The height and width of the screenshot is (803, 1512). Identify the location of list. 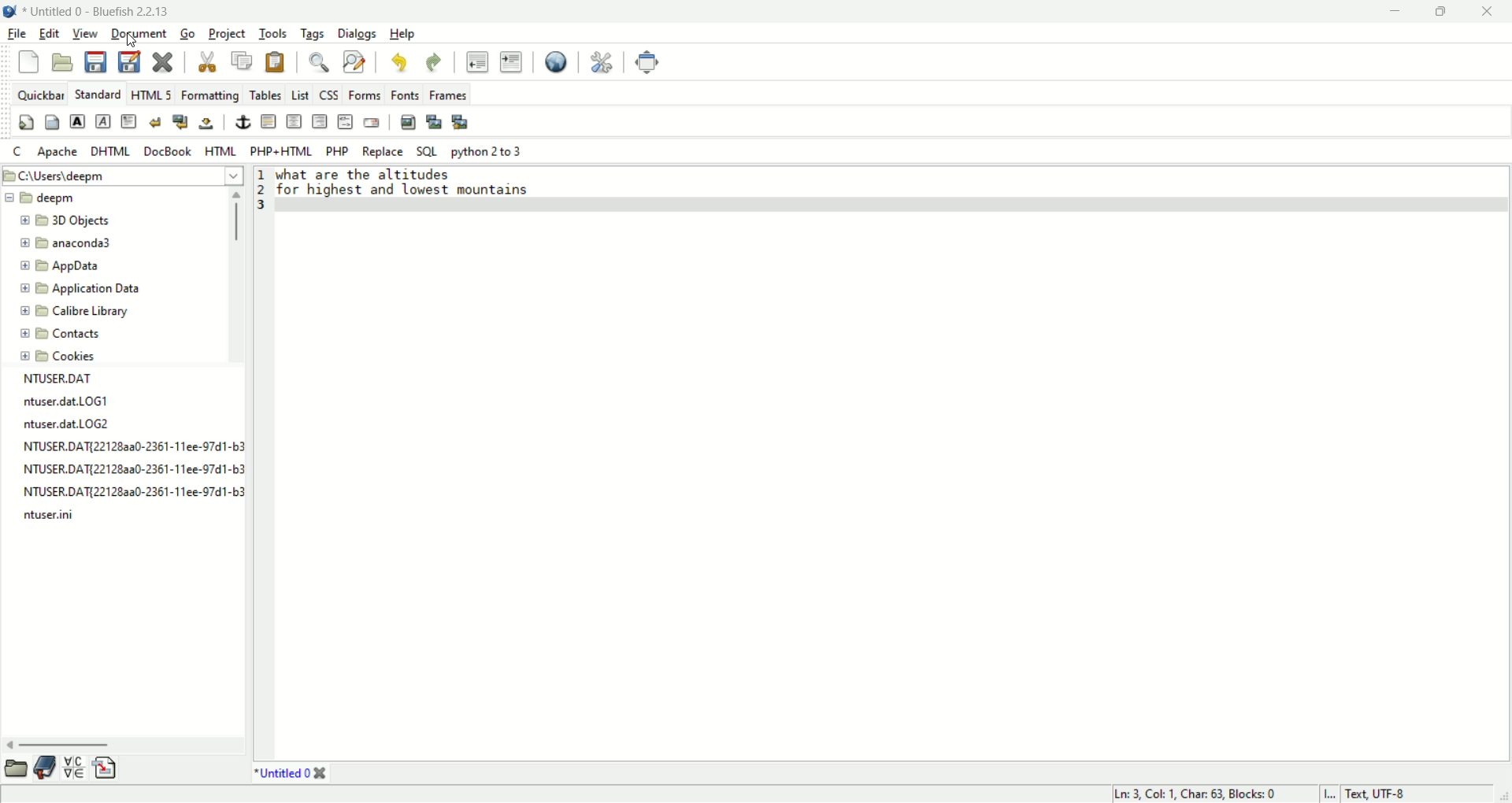
(299, 91).